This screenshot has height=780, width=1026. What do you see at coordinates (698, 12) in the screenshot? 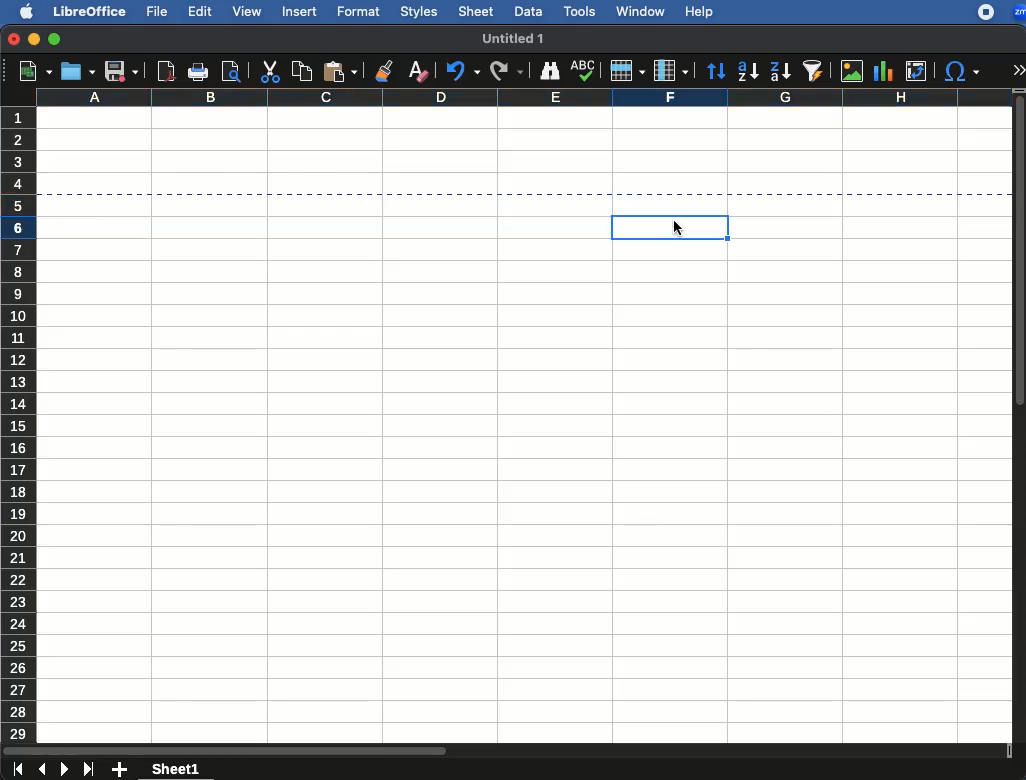
I see `help` at bounding box center [698, 12].